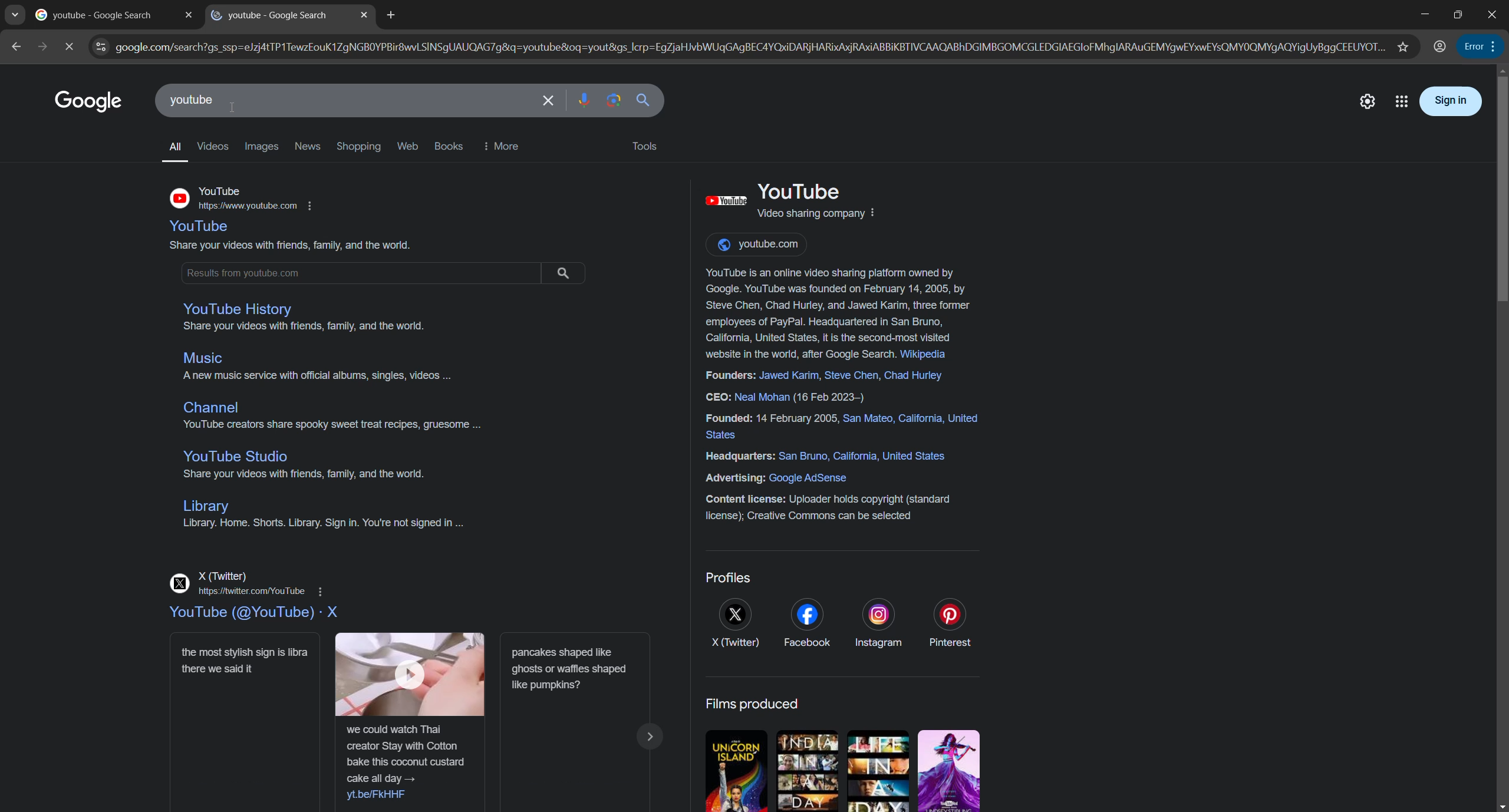  I want to click on books, so click(449, 145).